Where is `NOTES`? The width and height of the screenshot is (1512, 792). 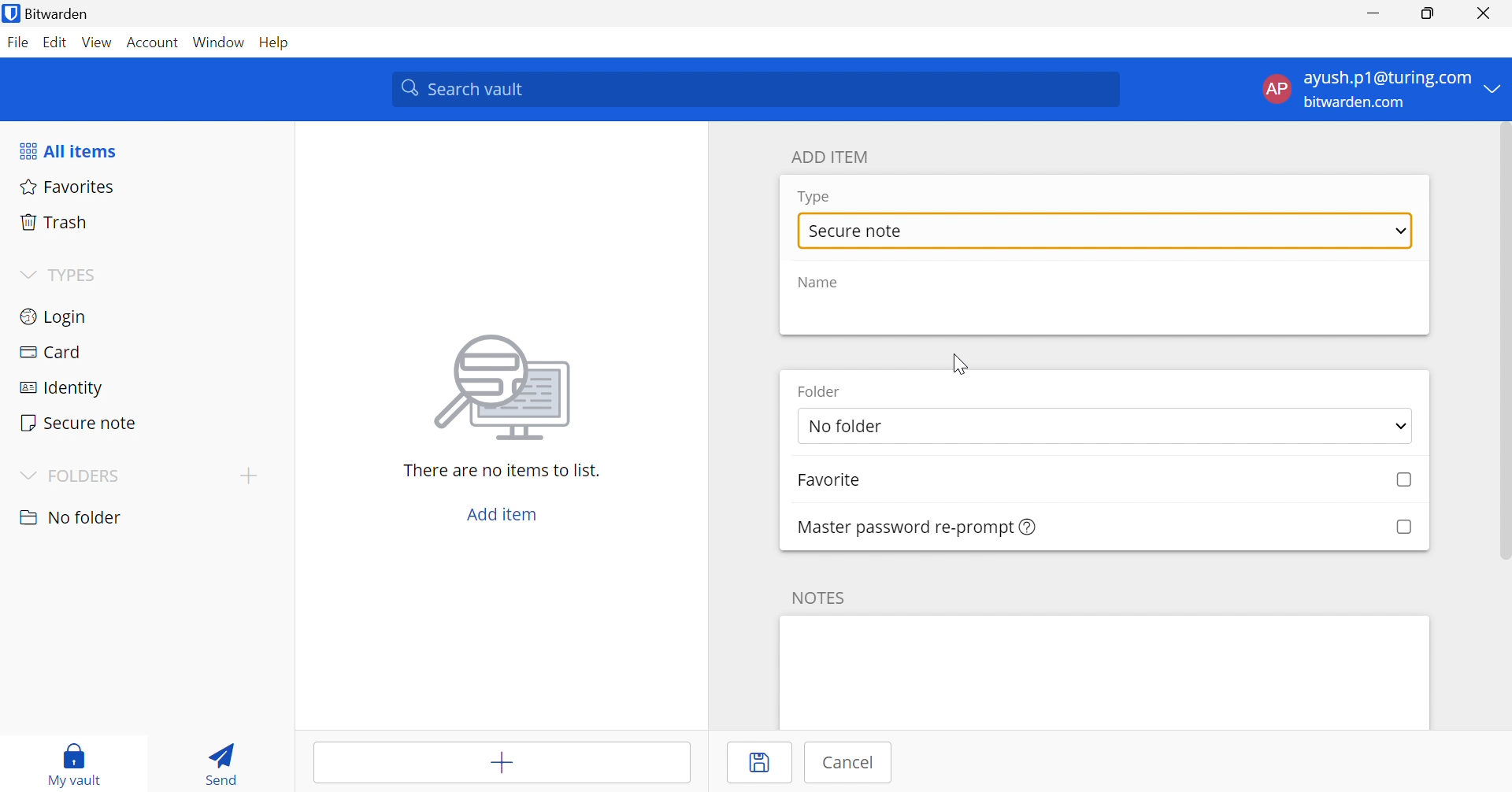
NOTES is located at coordinates (819, 597).